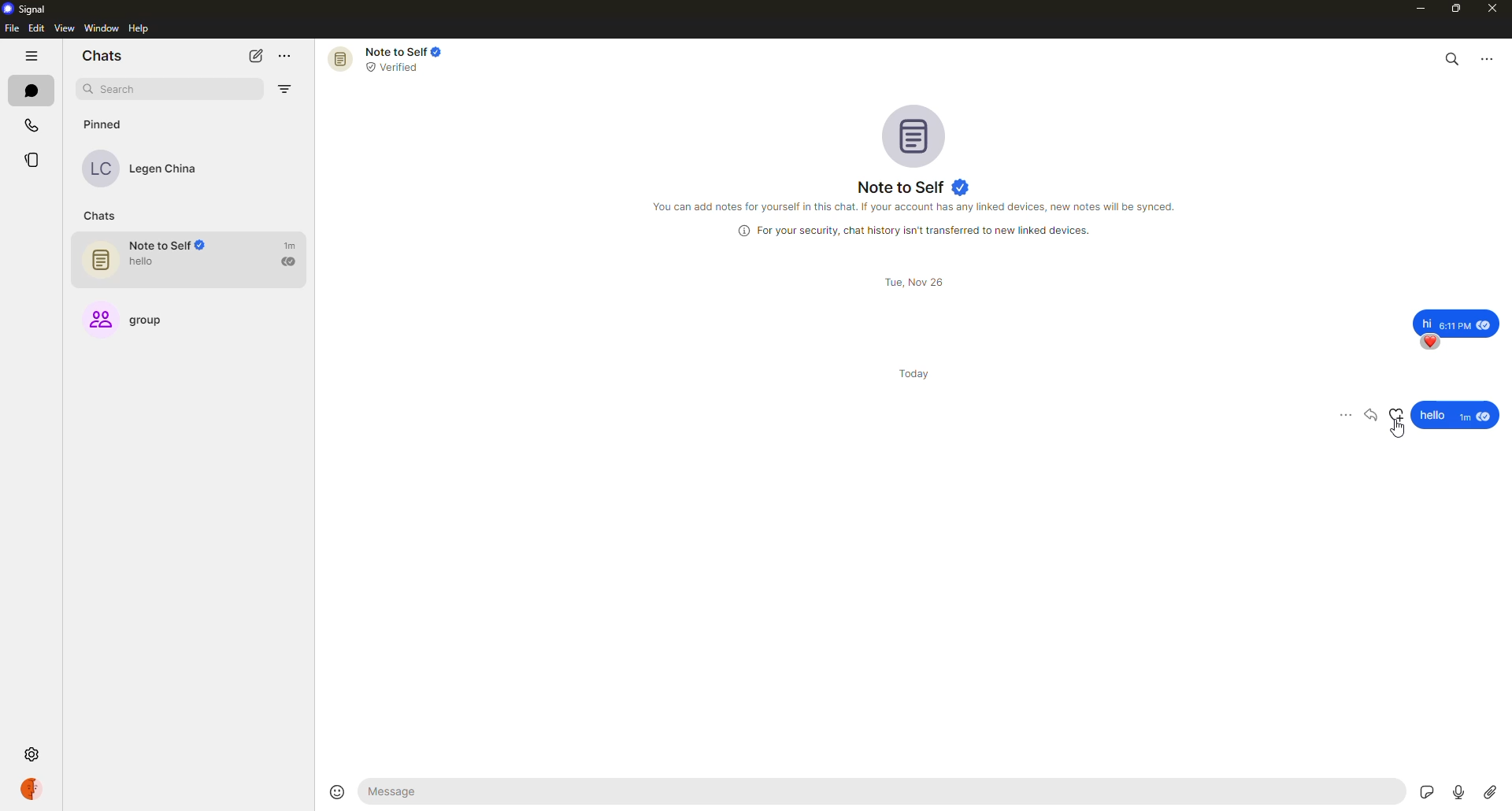 This screenshot has height=811, width=1512. Describe the element at coordinates (31, 124) in the screenshot. I see `calls` at that location.